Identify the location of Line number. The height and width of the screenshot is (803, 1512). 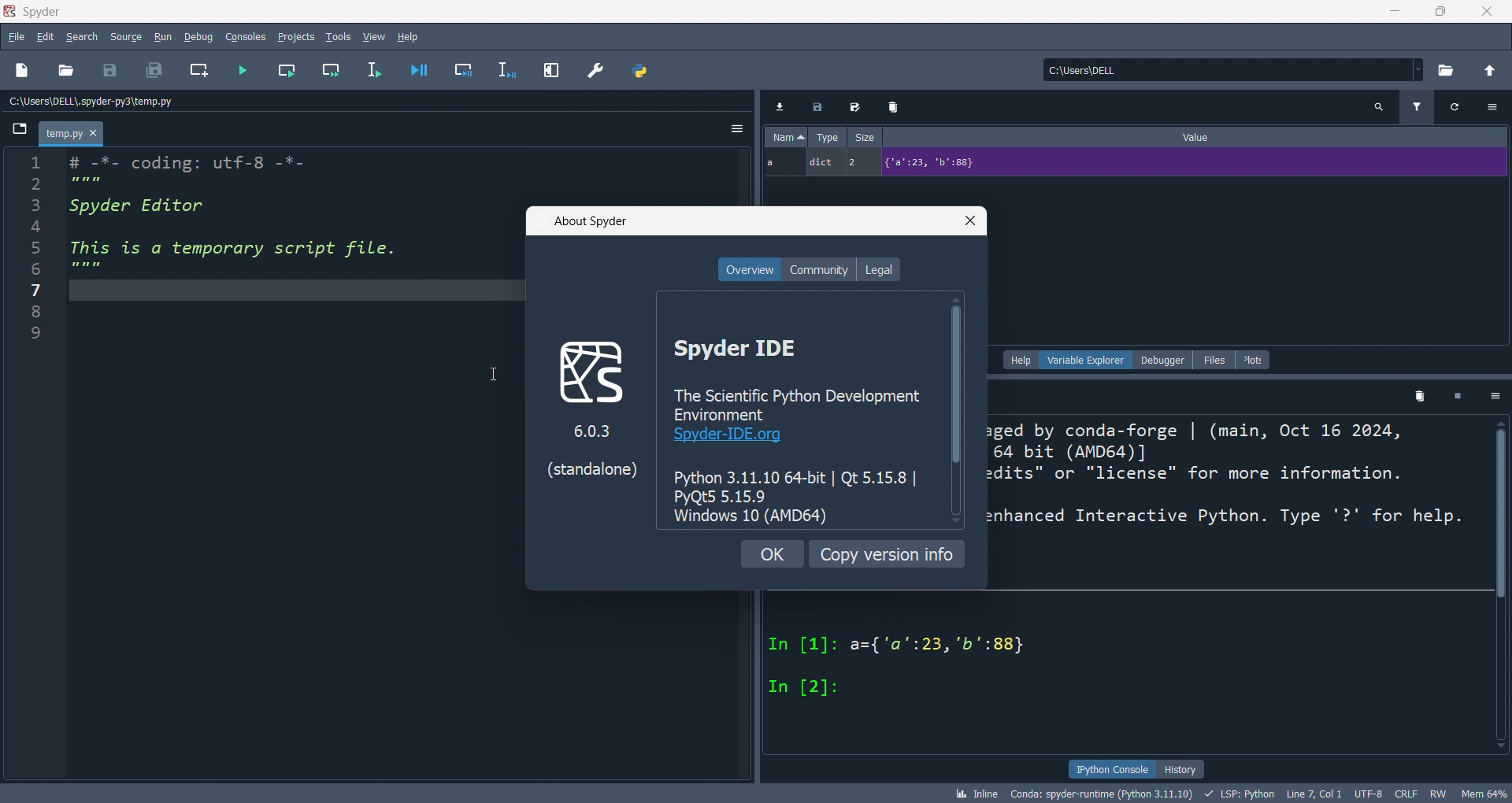
(36, 250).